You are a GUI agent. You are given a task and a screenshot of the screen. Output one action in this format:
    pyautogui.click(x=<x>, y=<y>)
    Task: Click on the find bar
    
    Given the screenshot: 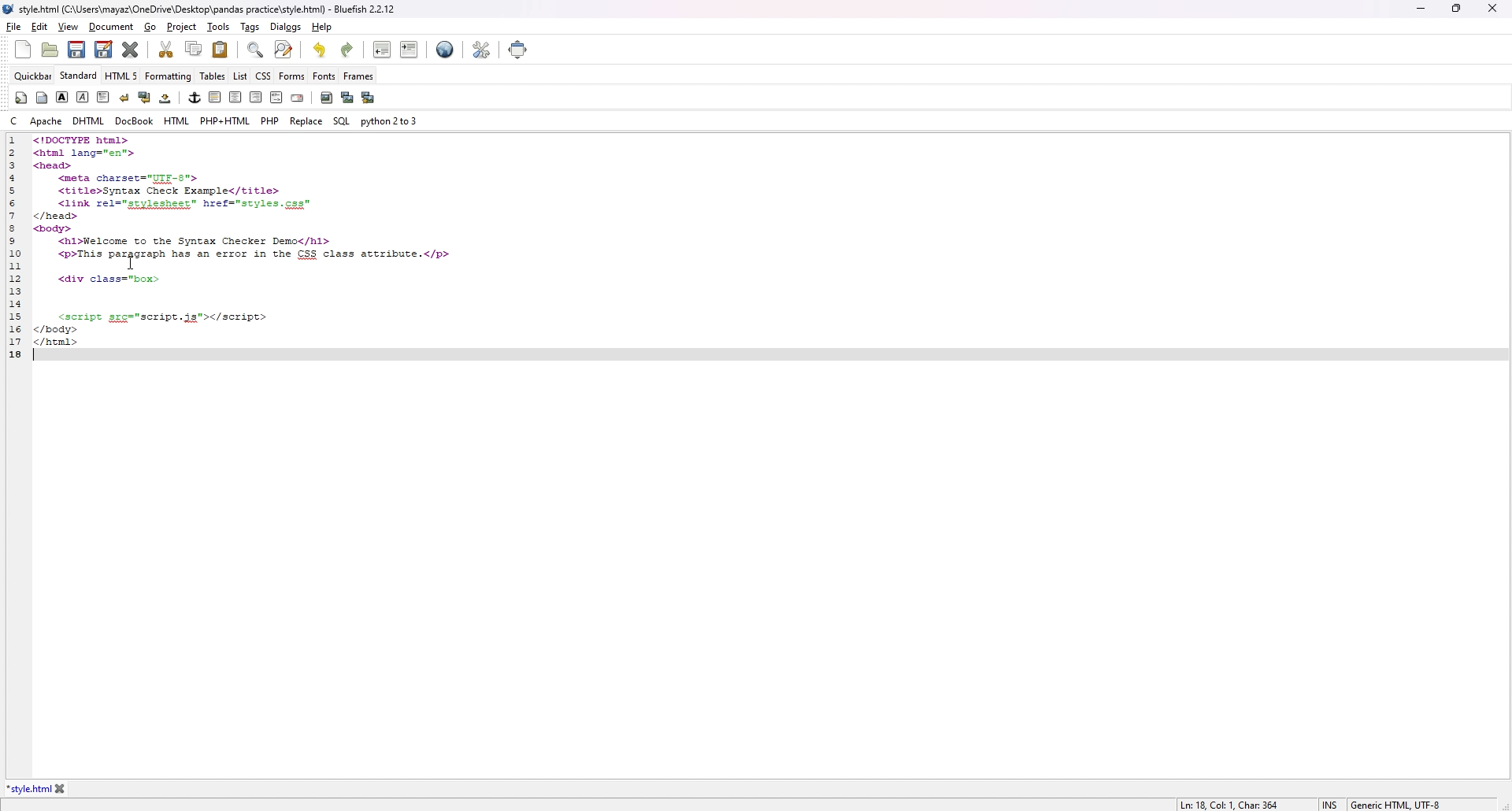 What is the action you would take?
    pyautogui.click(x=255, y=50)
    